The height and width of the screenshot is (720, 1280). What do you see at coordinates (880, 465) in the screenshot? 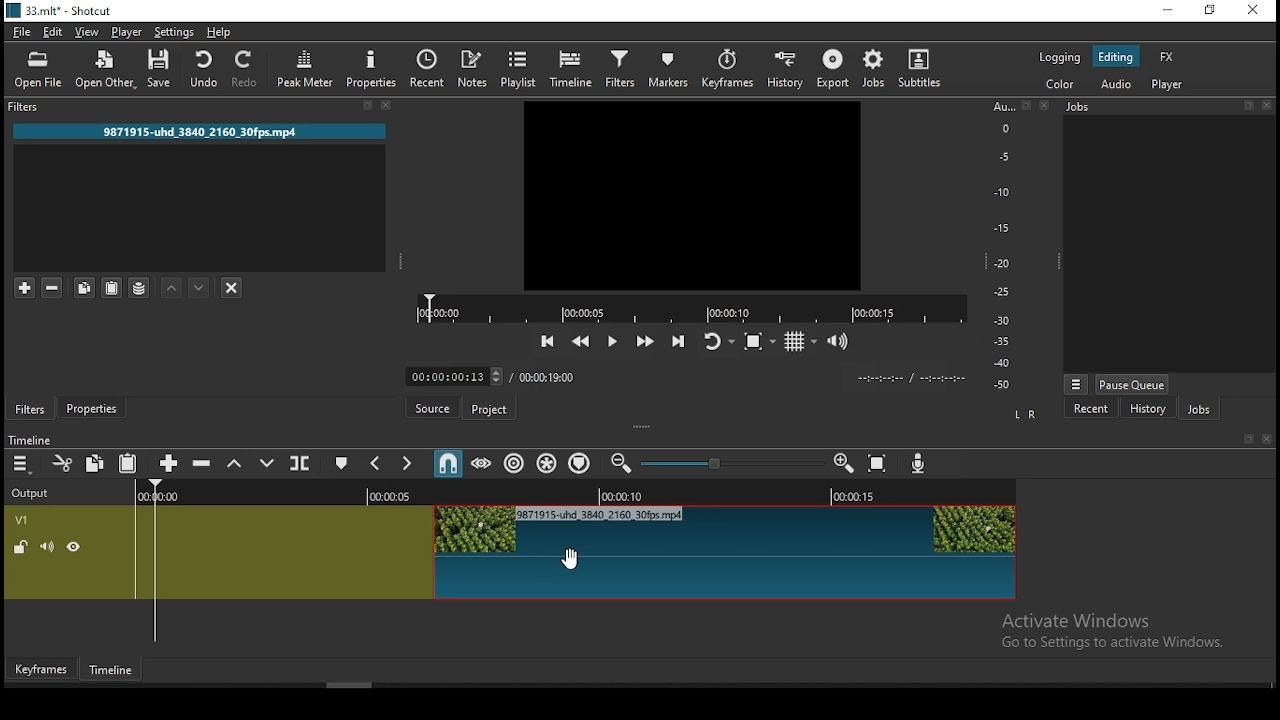
I see `zoom timeline to fit` at bounding box center [880, 465].